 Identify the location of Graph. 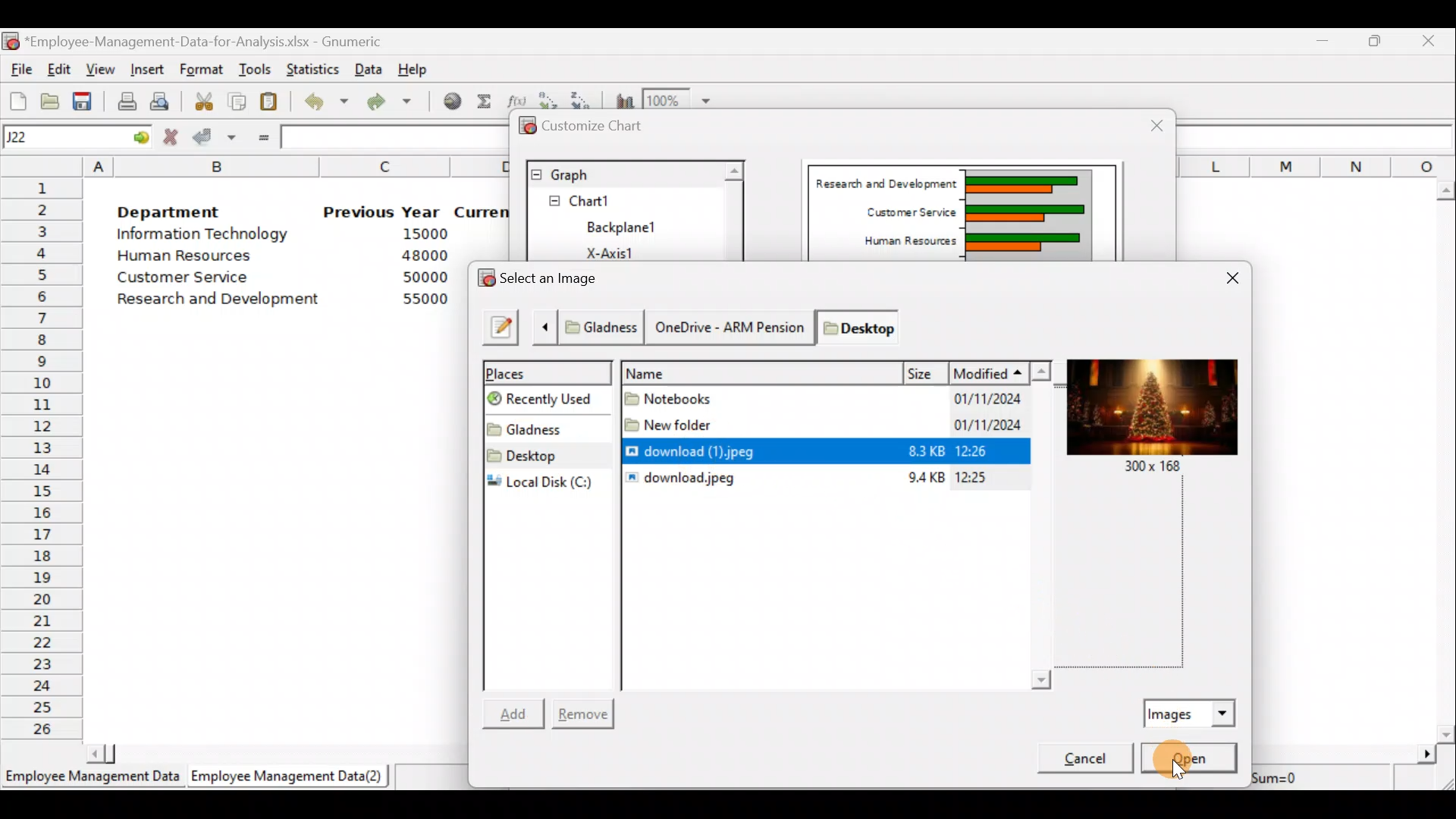
(623, 173).